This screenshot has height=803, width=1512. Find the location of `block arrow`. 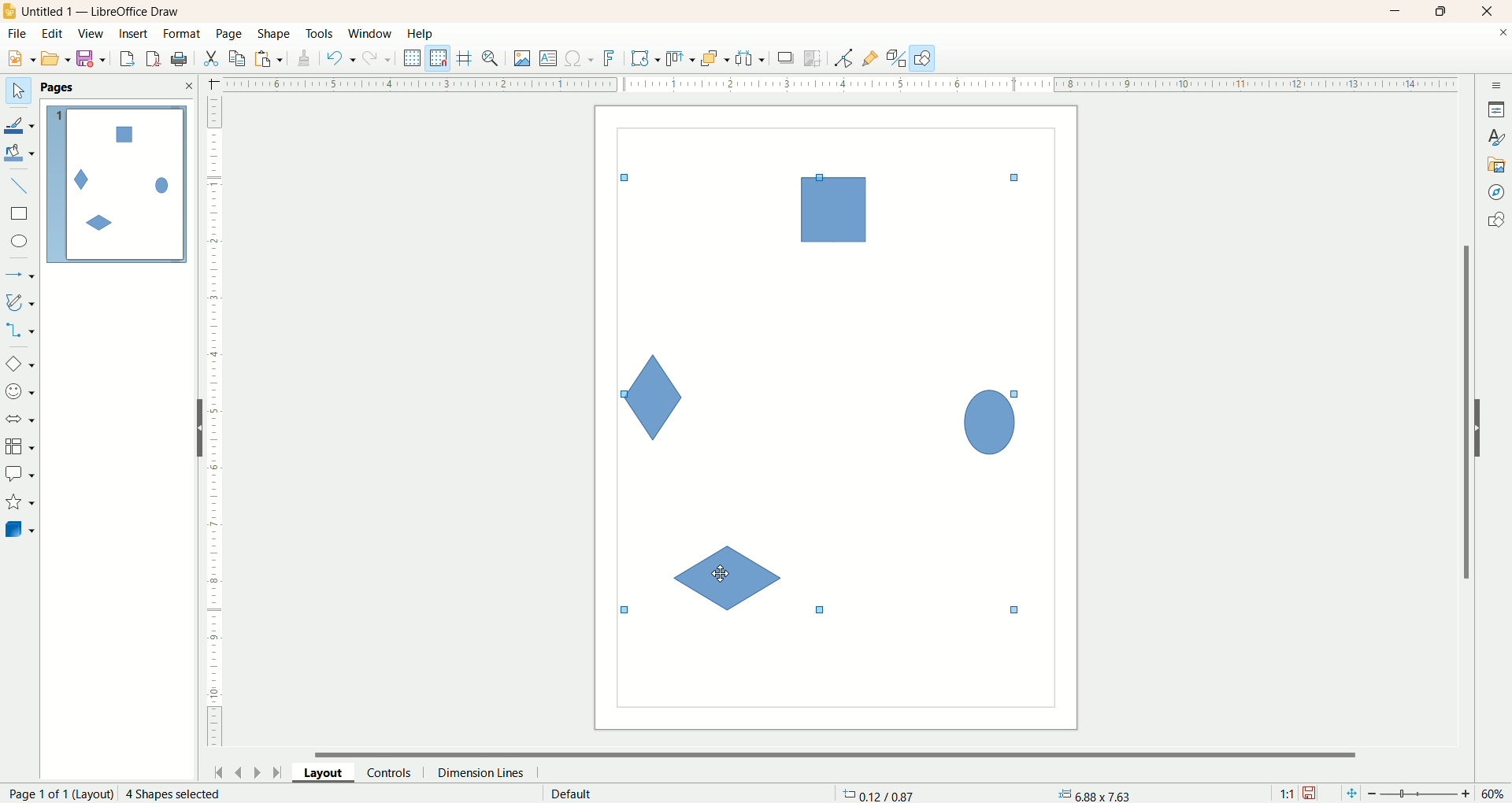

block arrow is located at coordinates (23, 420).